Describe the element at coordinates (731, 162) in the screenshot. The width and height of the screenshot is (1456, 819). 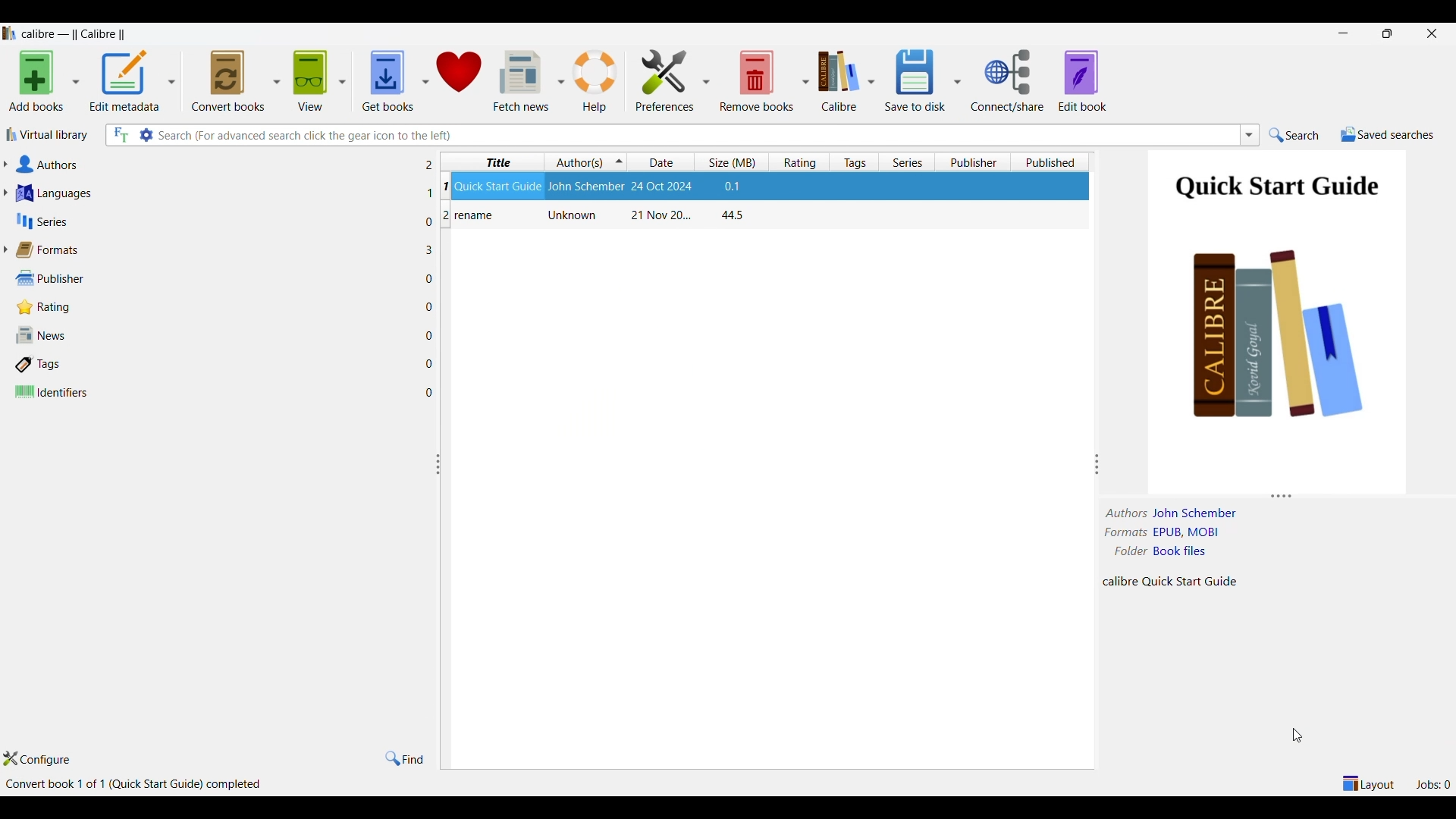
I see `Size column` at that location.